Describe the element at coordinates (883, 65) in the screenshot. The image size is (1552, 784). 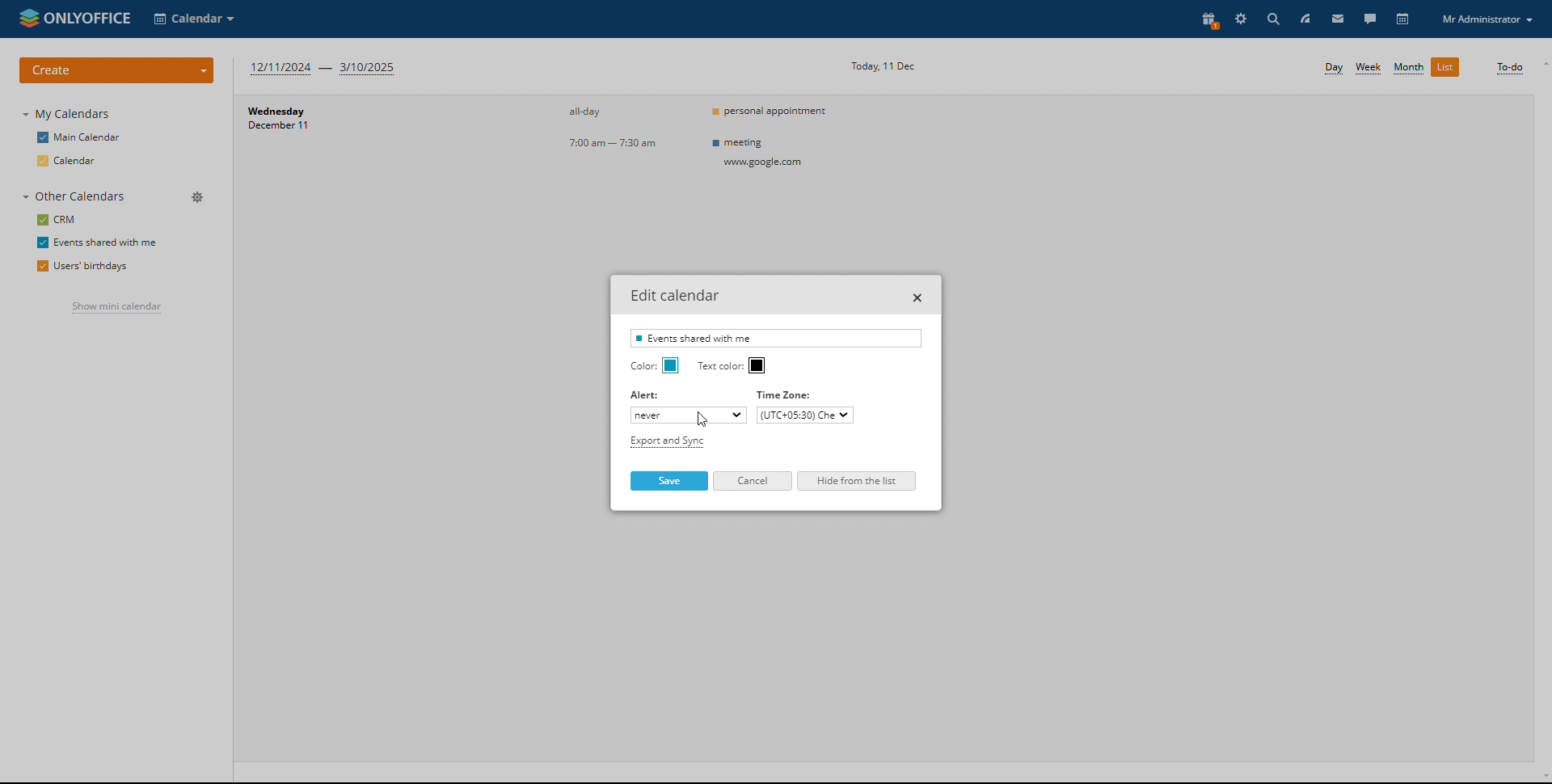
I see `current date` at that location.